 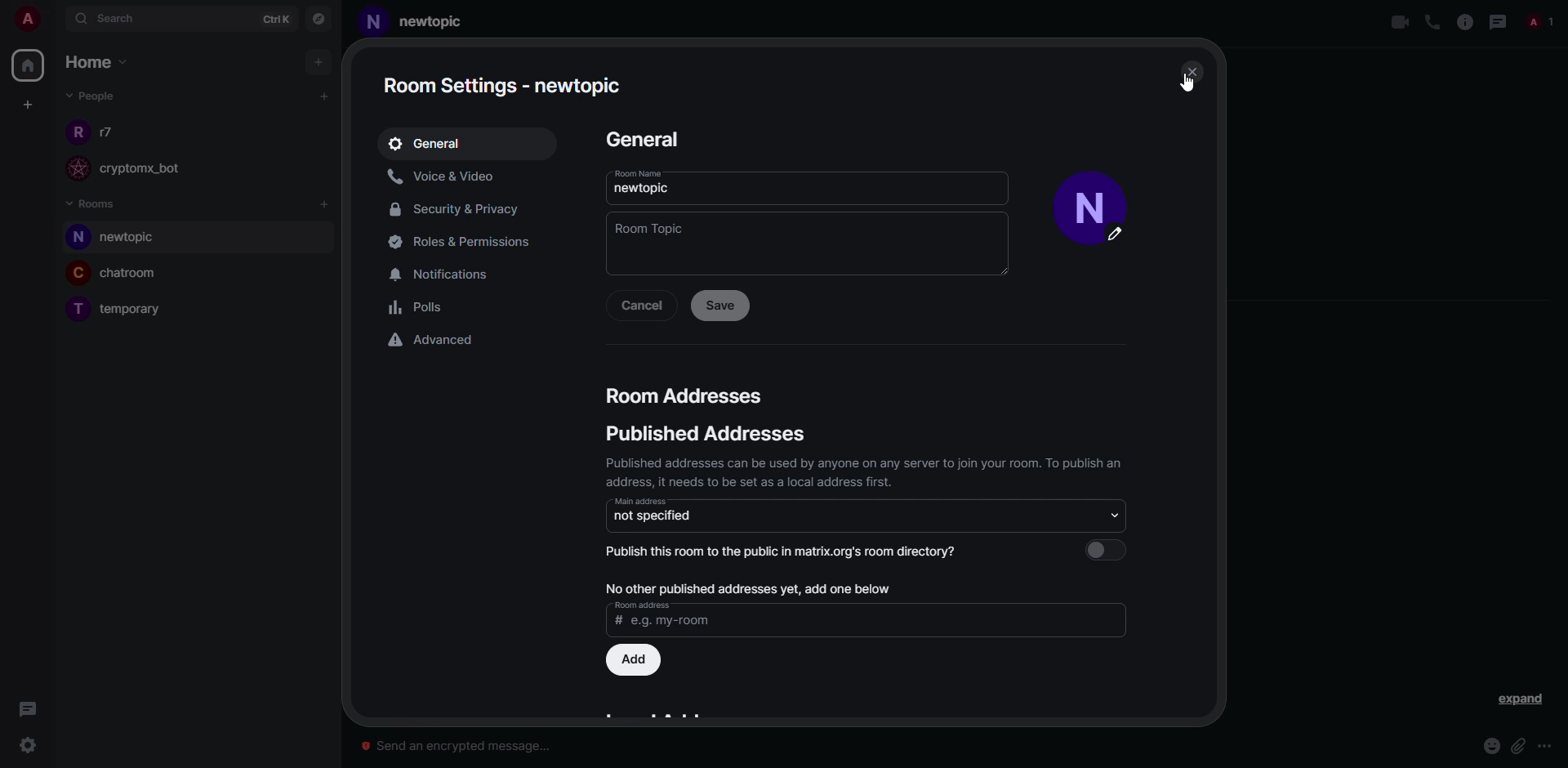 I want to click on room name, so click(x=636, y=173).